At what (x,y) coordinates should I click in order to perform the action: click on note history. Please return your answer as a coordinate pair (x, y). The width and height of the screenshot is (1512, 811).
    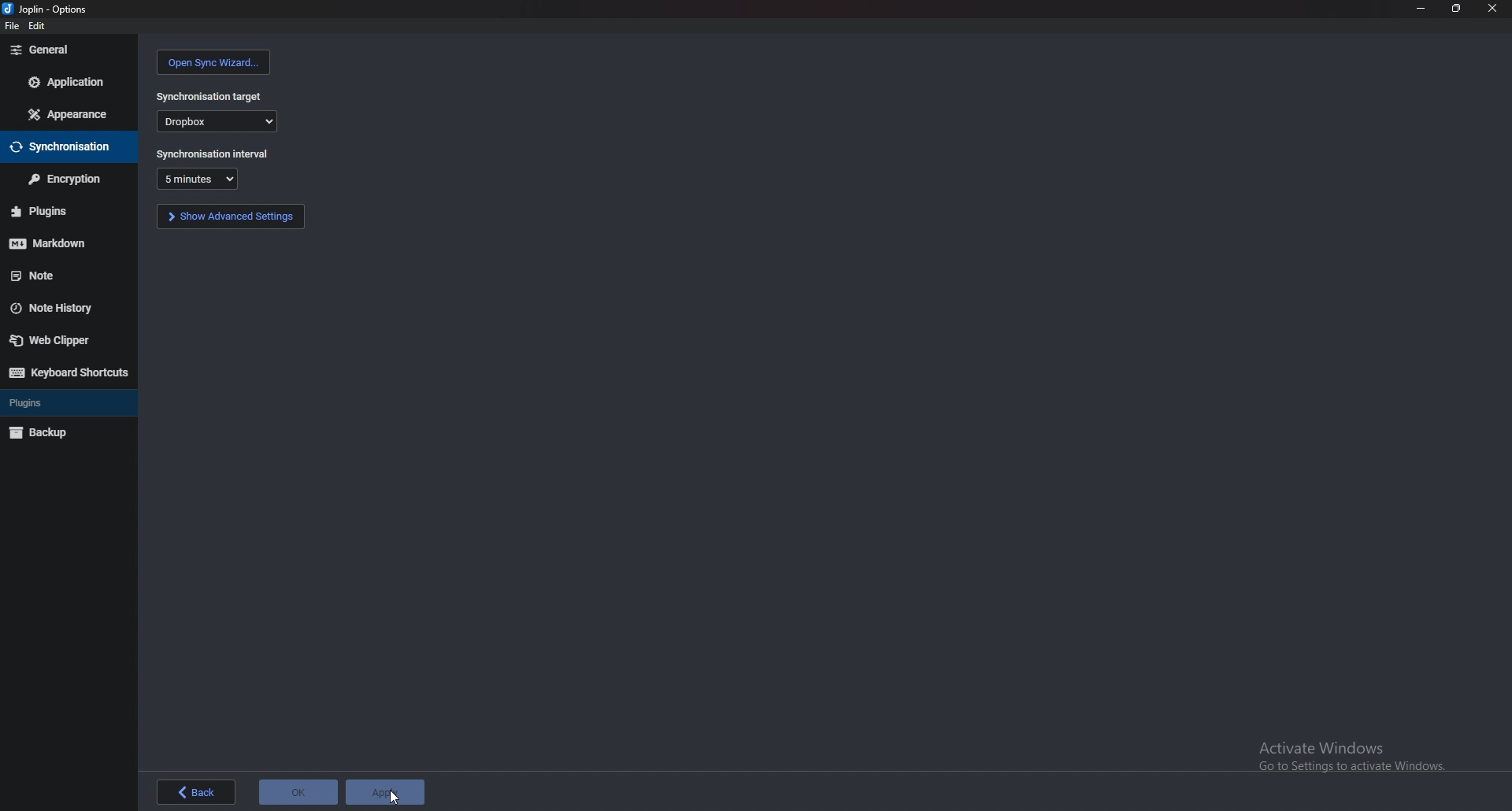
    Looking at the image, I should click on (57, 309).